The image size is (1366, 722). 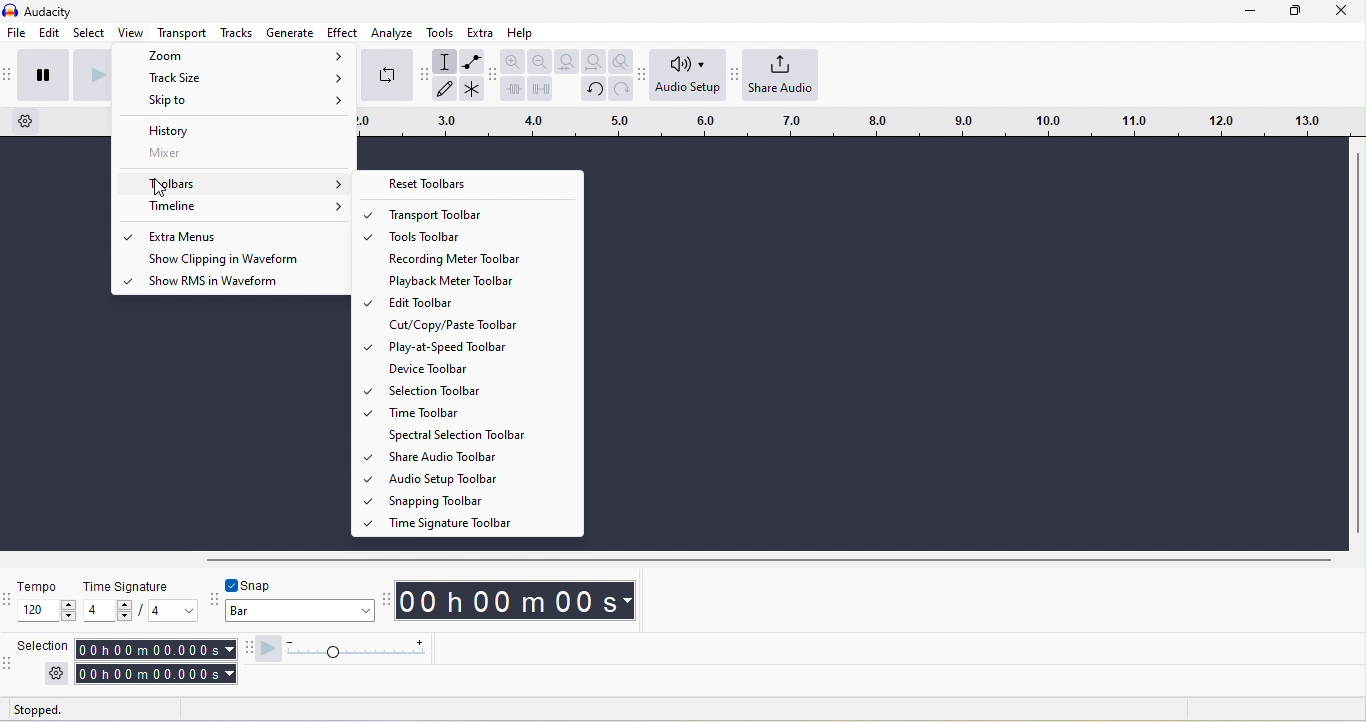 I want to click on view, so click(x=131, y=32).